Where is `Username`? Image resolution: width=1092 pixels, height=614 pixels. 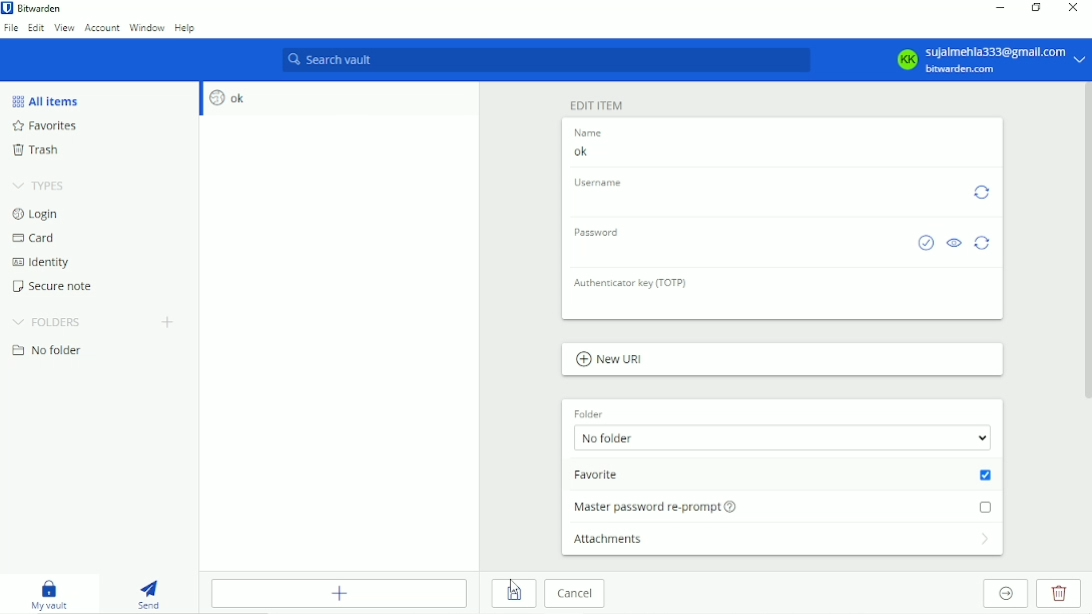
Username is located at coordinates (601, 183).